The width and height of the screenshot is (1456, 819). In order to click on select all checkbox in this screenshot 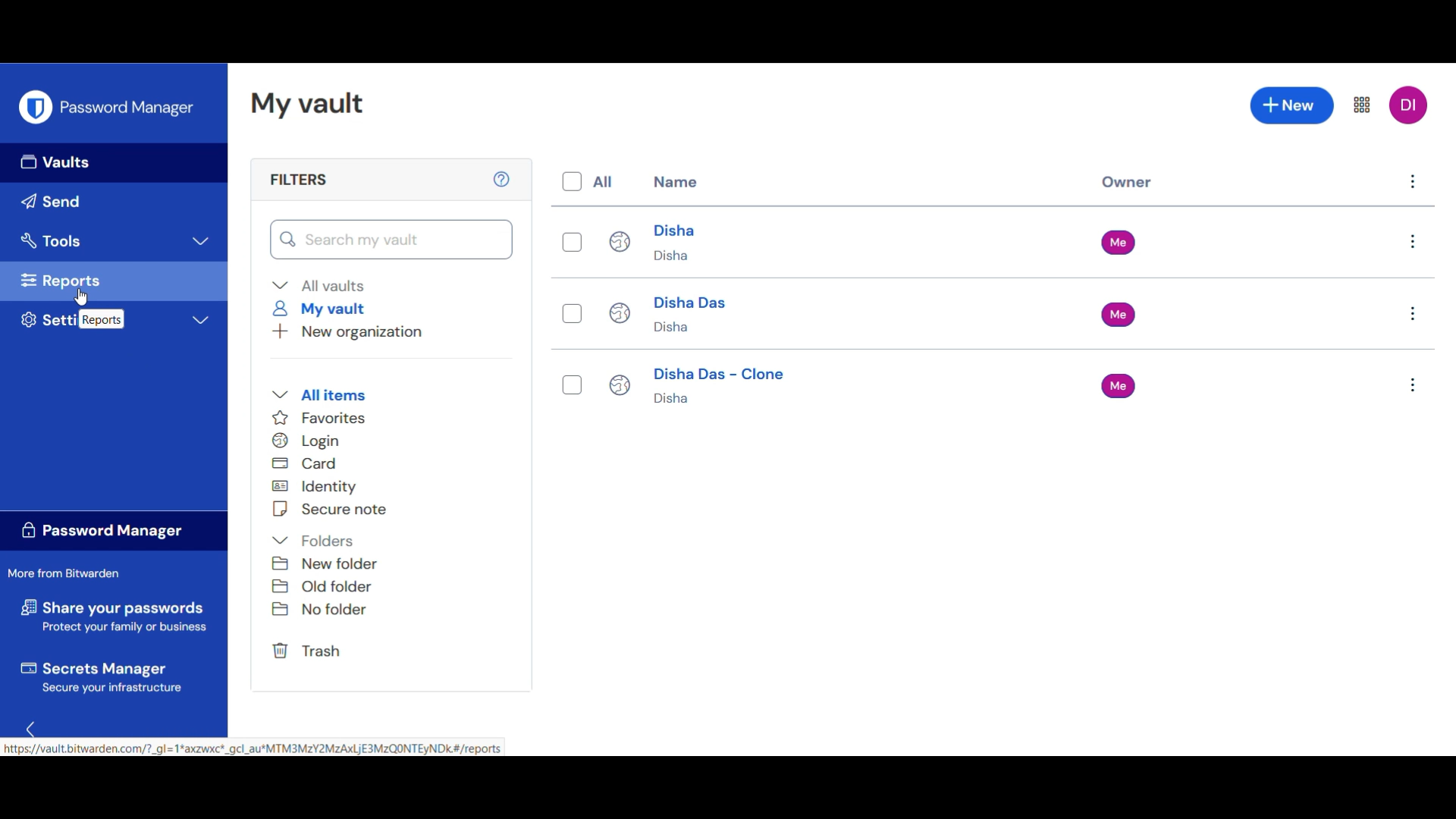, I will do `click(570, 182)`.